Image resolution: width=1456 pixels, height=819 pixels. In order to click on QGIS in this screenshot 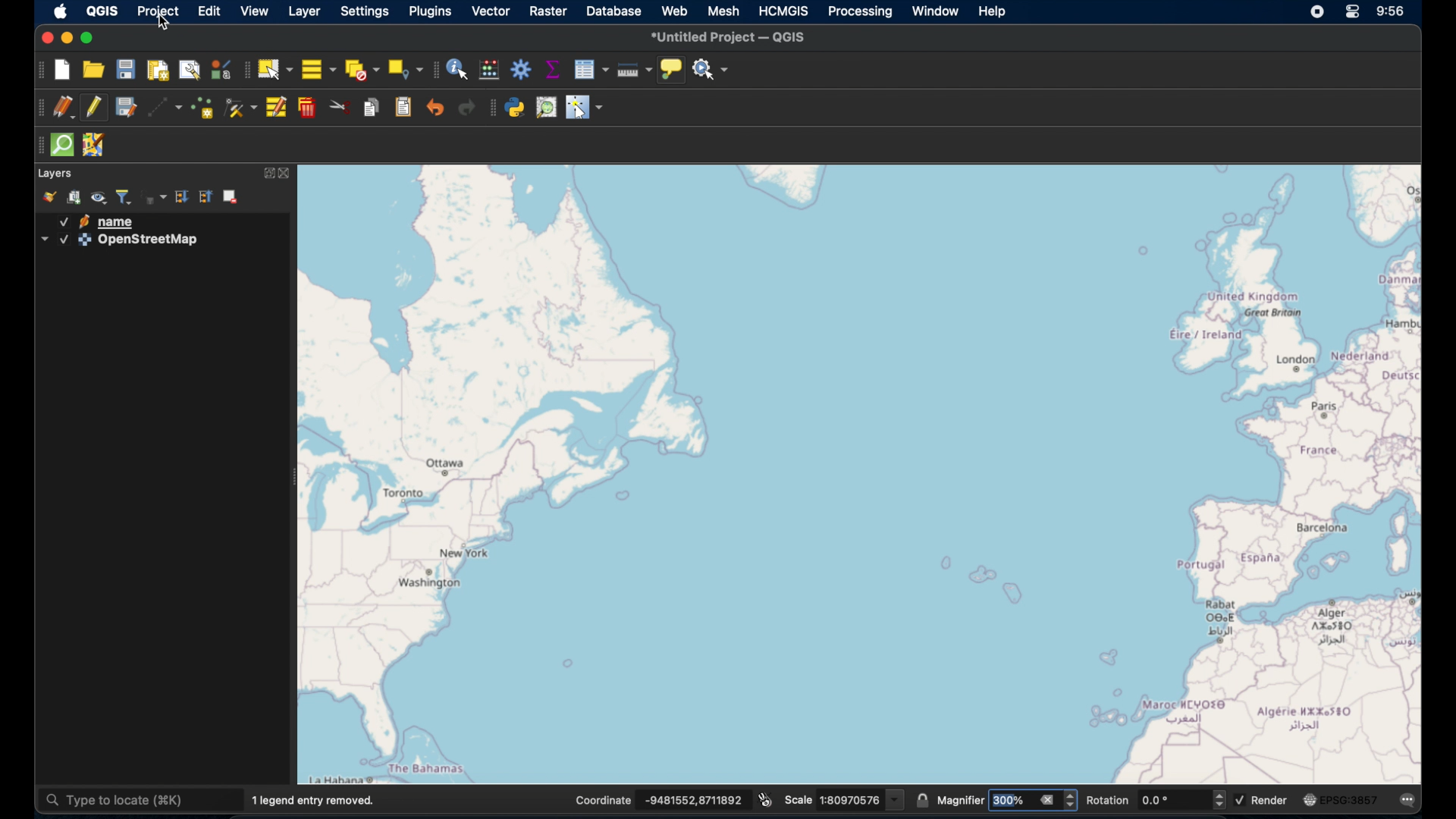, I will do `click(102, 11)`.